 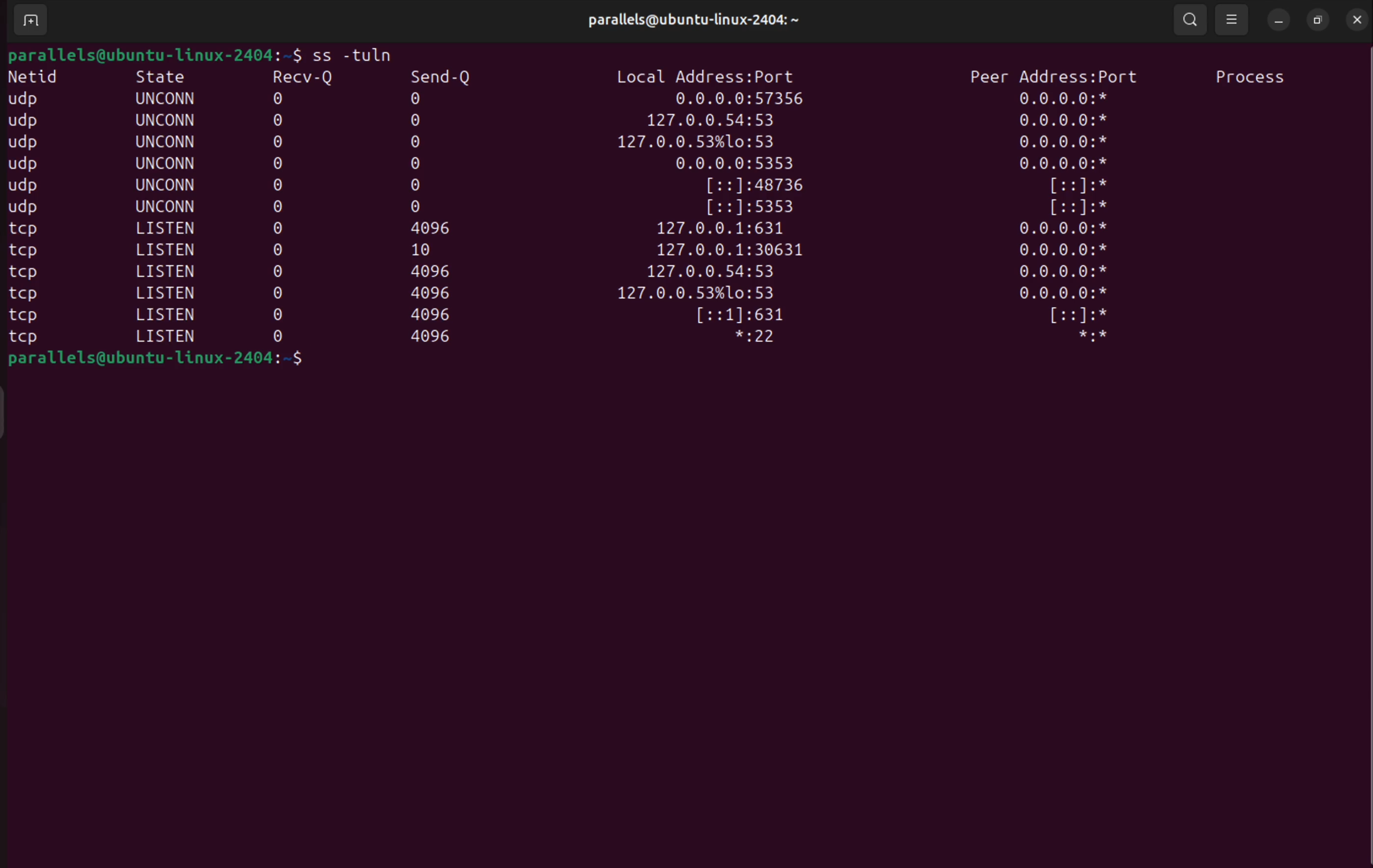 I want to click on 4096, so click(x=437, y=313).